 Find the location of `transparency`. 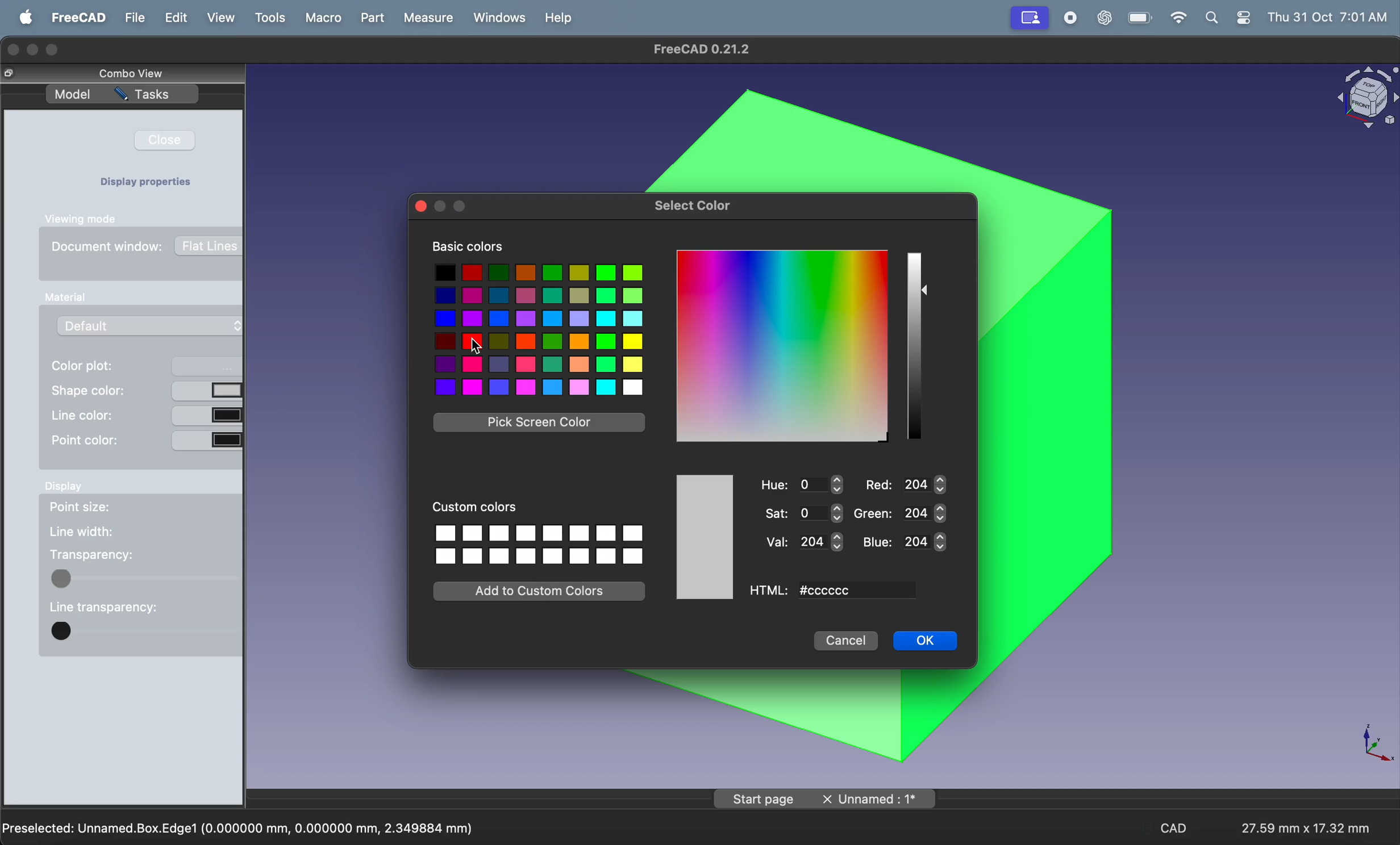

transparency is located at coordinates (91, 555).